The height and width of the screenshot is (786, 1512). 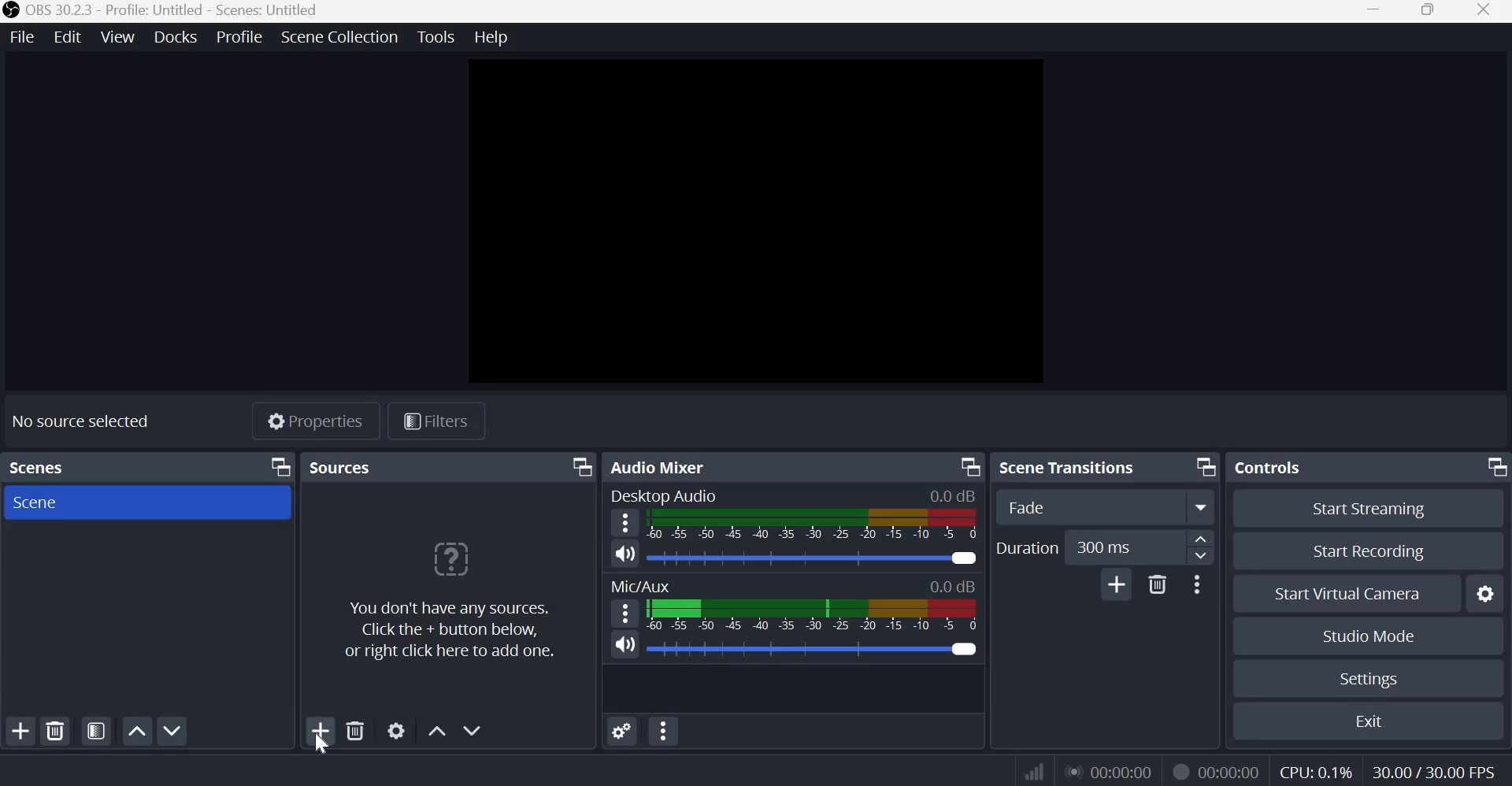 I want to click on Docks, so click(x=176, y=37).